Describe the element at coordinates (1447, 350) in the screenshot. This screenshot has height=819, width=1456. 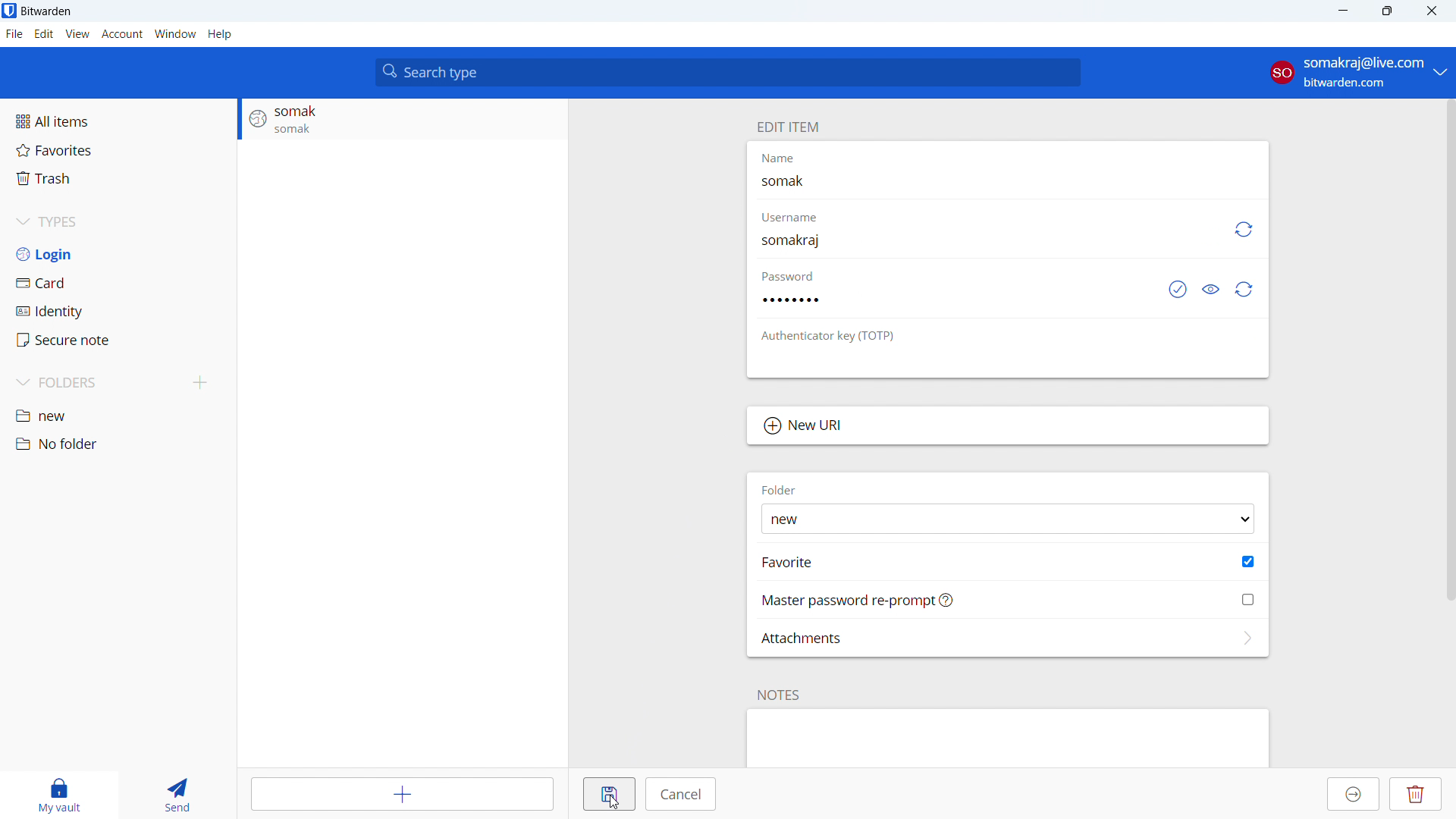
I see `SCROLLBAR` at that location.